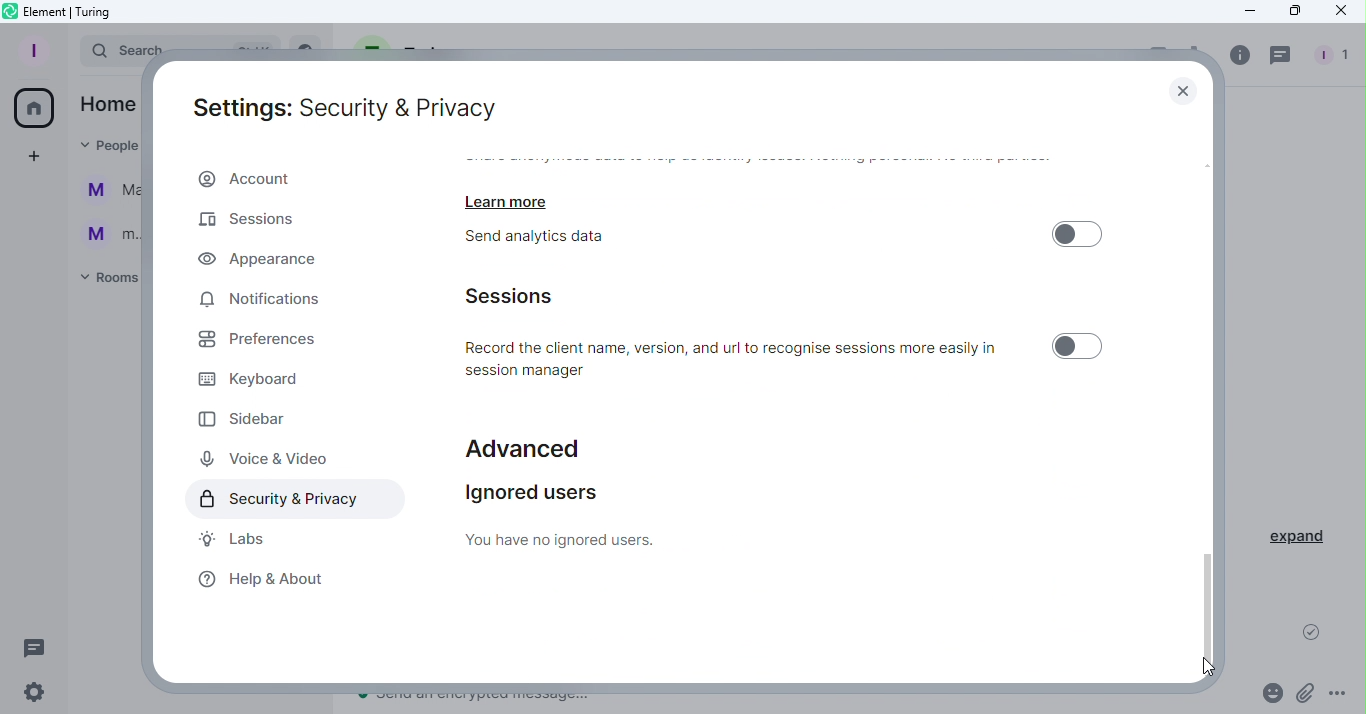  What do you see at coordinates (233, 539) in the screenshot?
I see `Labs` at bounding box center [233, 539].